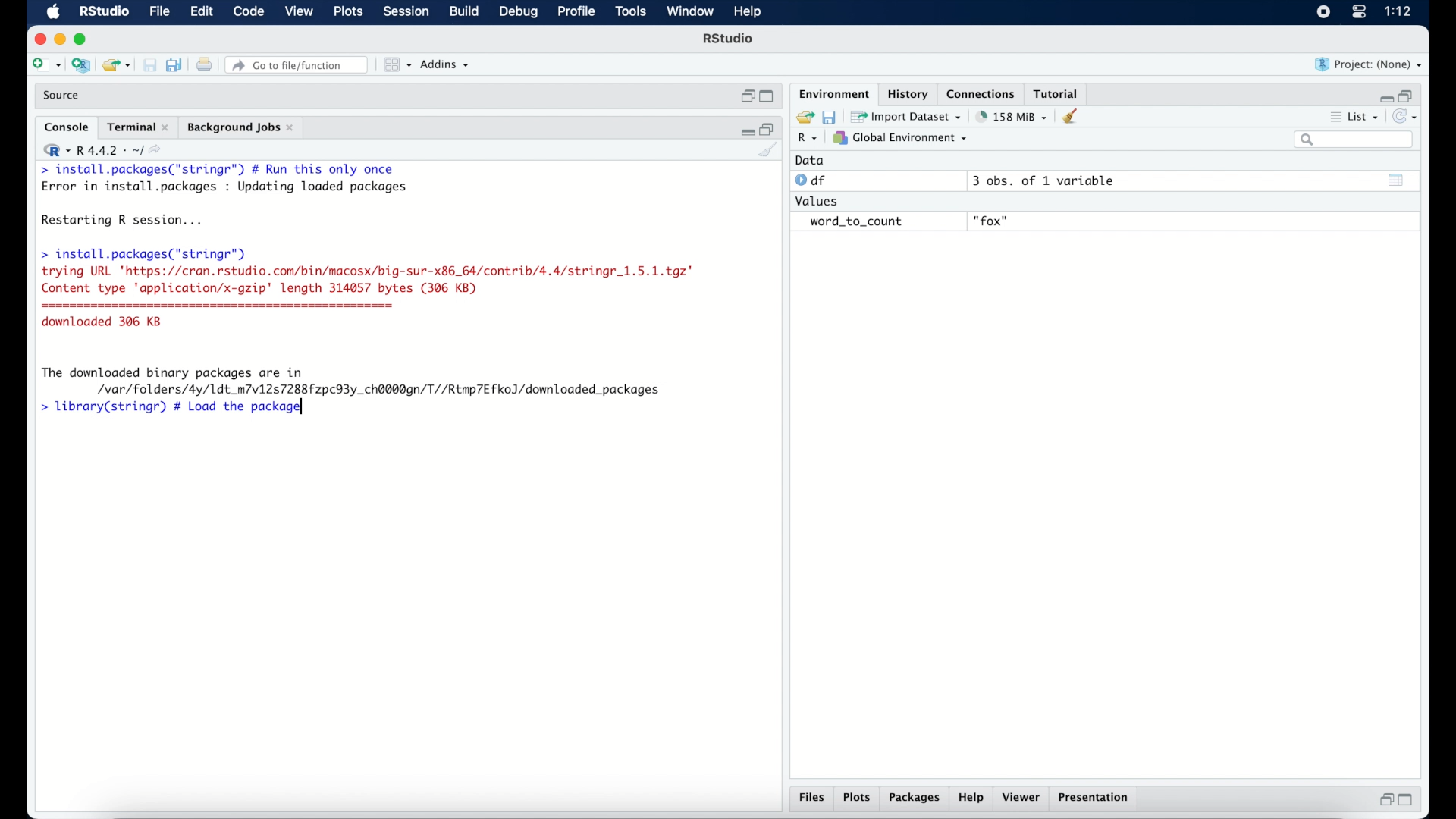 The width and height of the screenshot is (1456, 819). I want to click on view in pane, so click(396, 65).